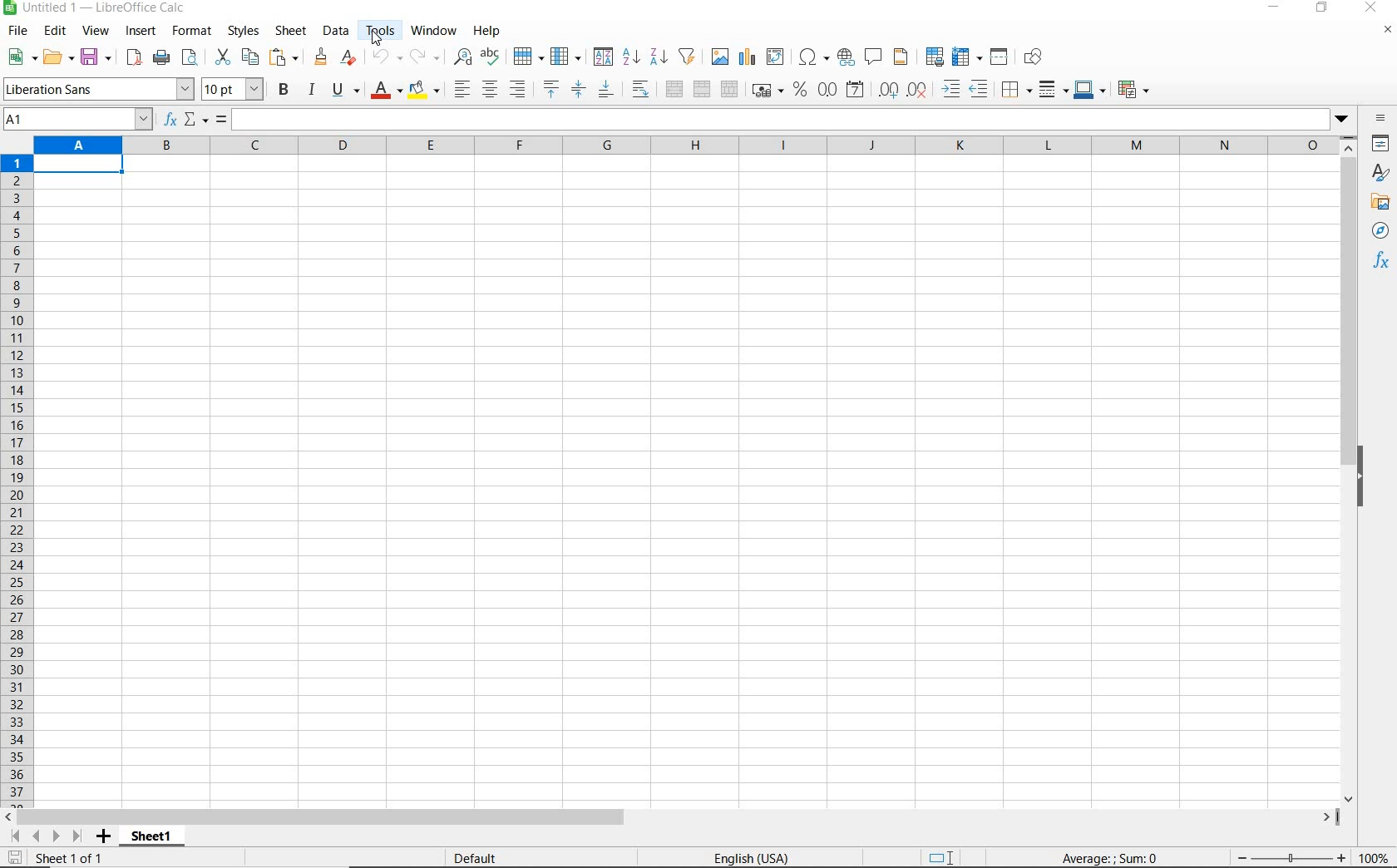  Describe the element at coordinates (47, 836) in the screenshot. I see `MOVE SHEETS` at that location.